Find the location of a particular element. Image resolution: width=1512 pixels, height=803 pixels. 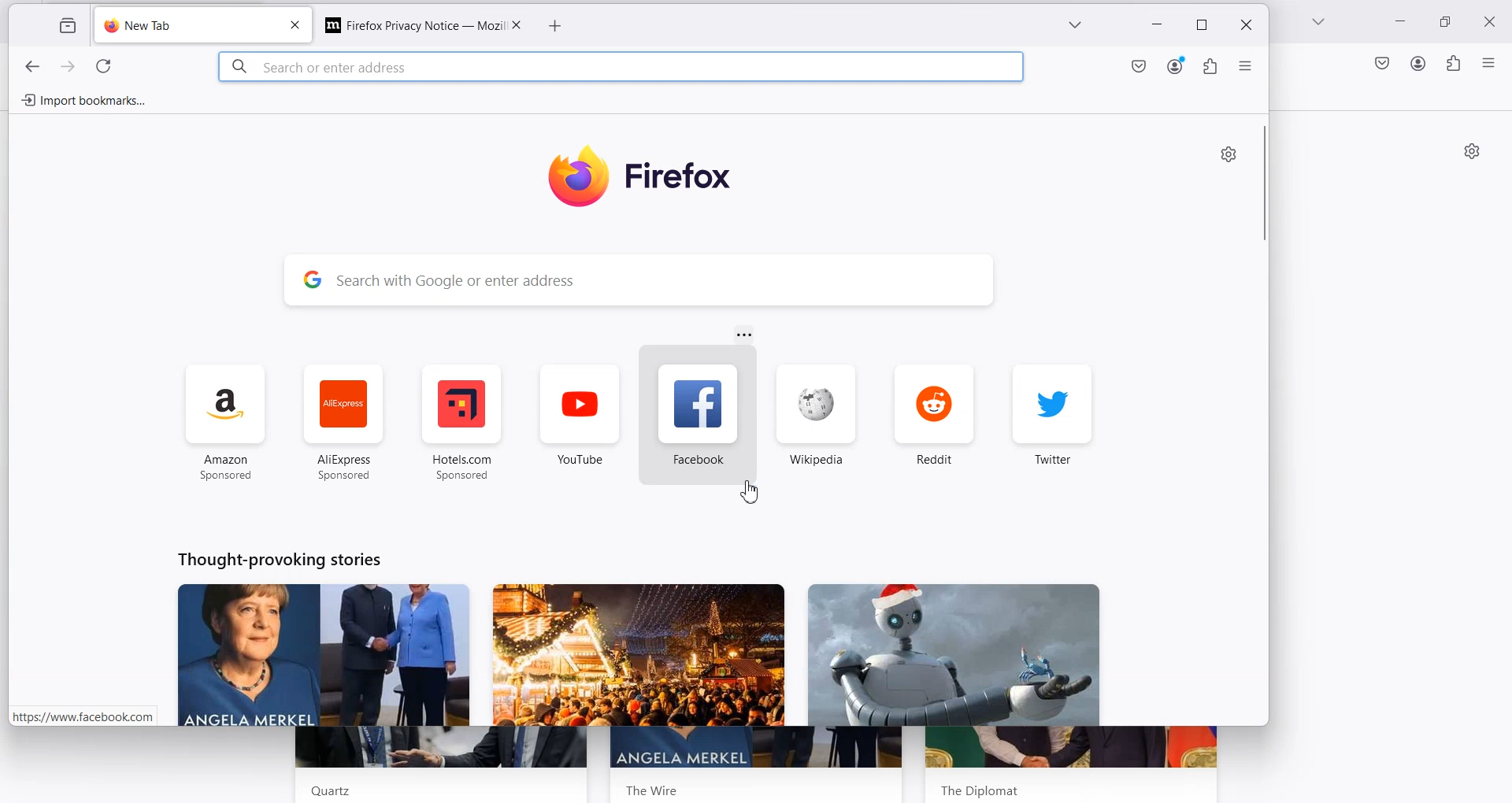

view recent browsing is located at coordinates (65, 27).